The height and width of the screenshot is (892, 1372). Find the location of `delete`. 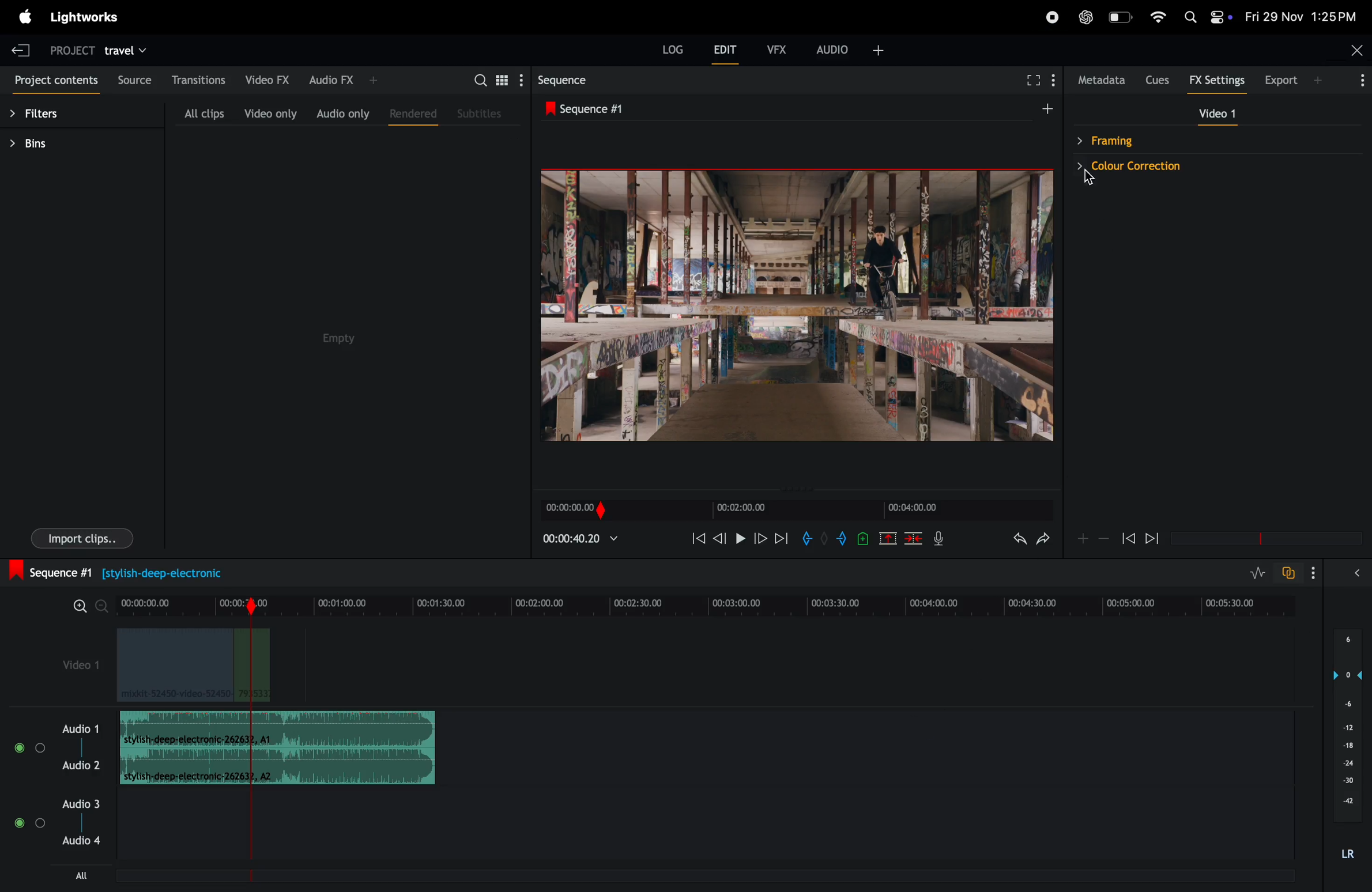

delete is located at coordinates (914, 540).